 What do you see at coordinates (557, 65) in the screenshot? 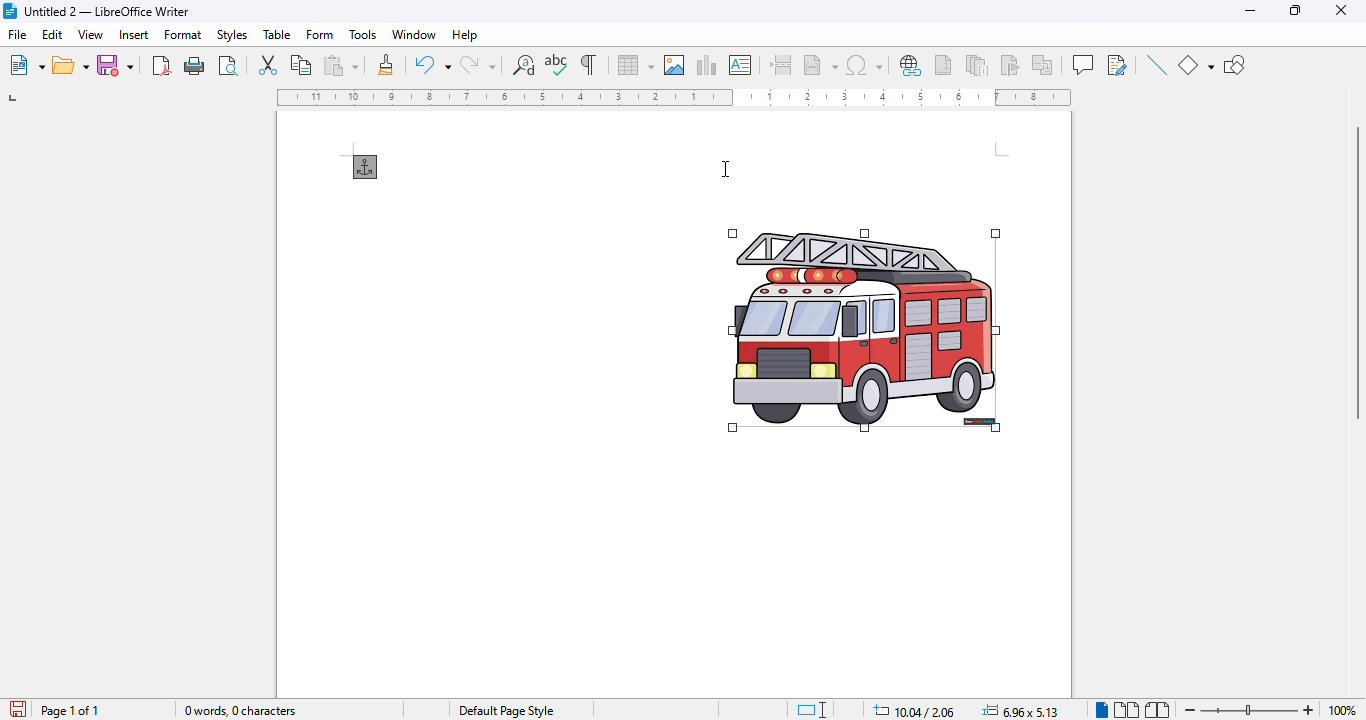
I see `spelling` at bounding box center [557, 65].